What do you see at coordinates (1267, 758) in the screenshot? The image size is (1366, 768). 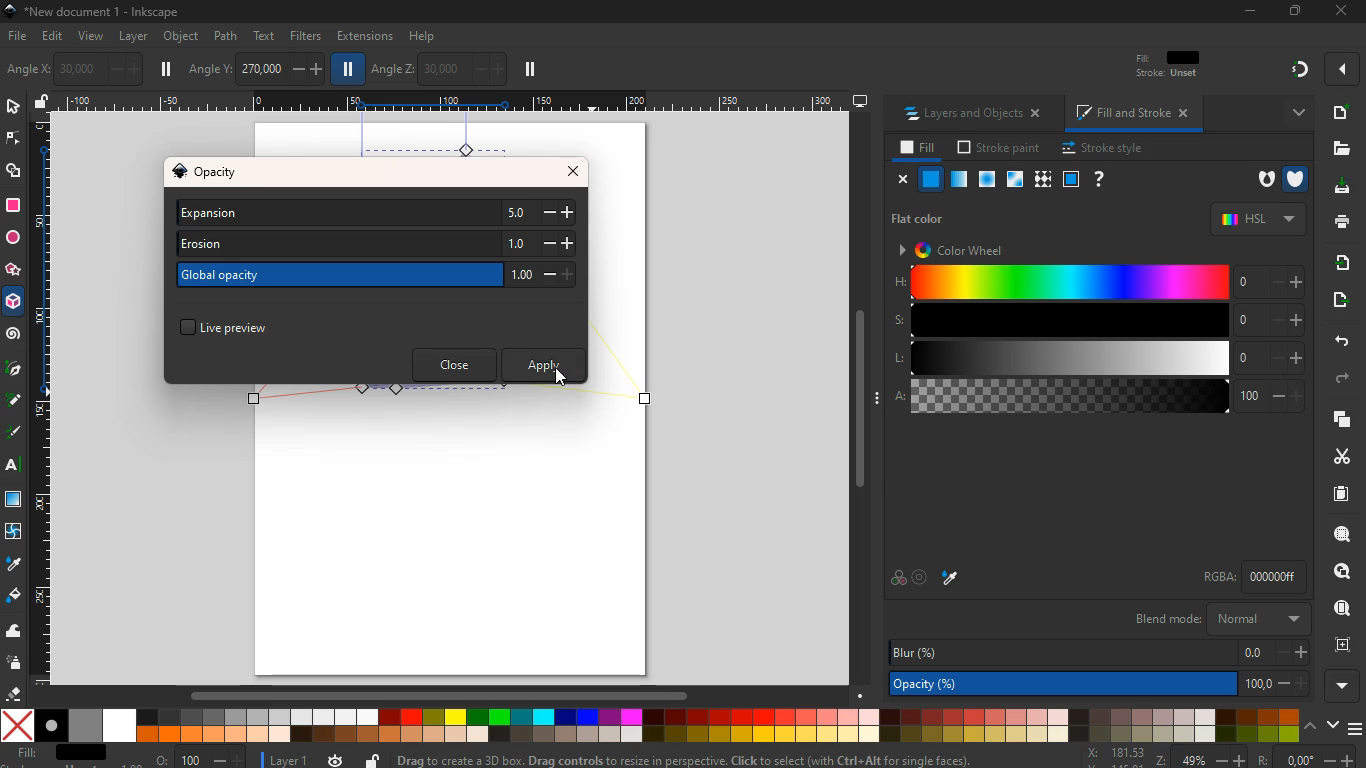 I see `` at bounding box center [1267, 758].